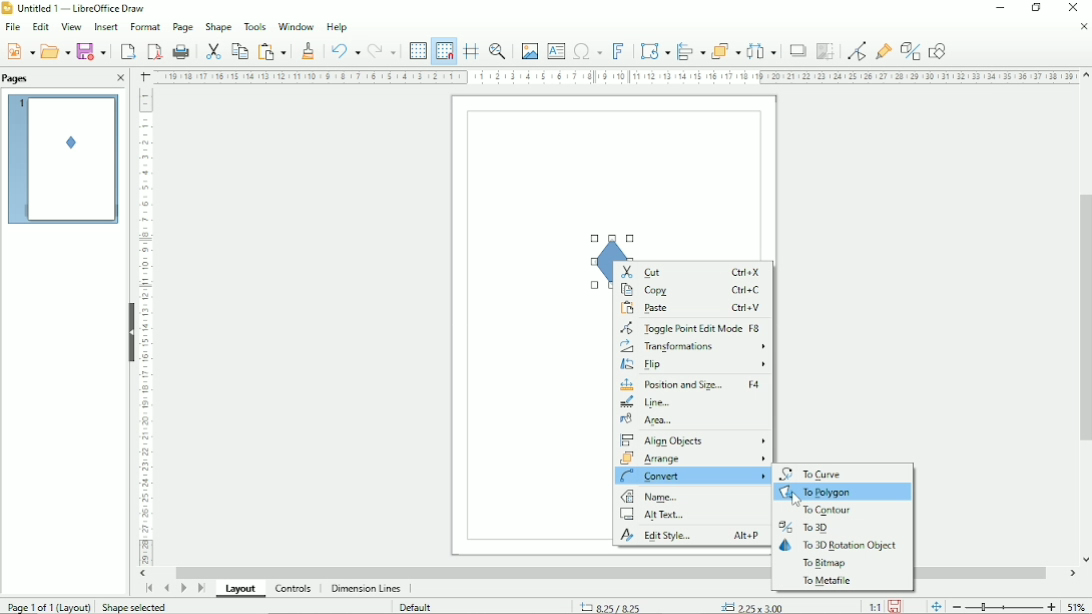 The width and height of the screenshot is (1092, 614). I want to click on Paste, so click(274, 49).